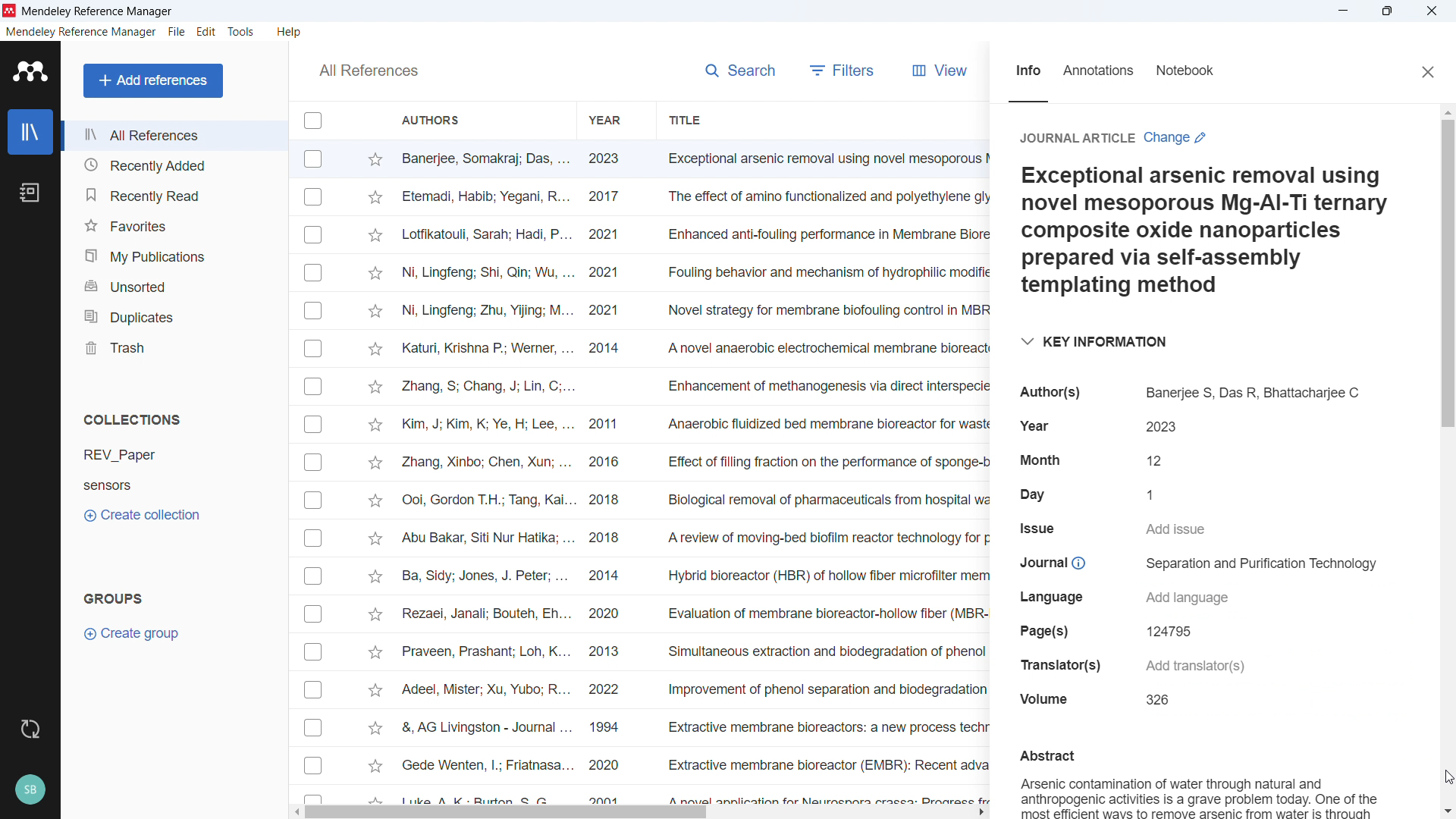 Image resolution: width=1456 pixels, height=819 pixels. What do you see at coordinates (827, 576) in the screenshot?
I see `hybrid bioreactor of hollow fiber microfilter membrane and cross linked` at bounding box center [827, 576].